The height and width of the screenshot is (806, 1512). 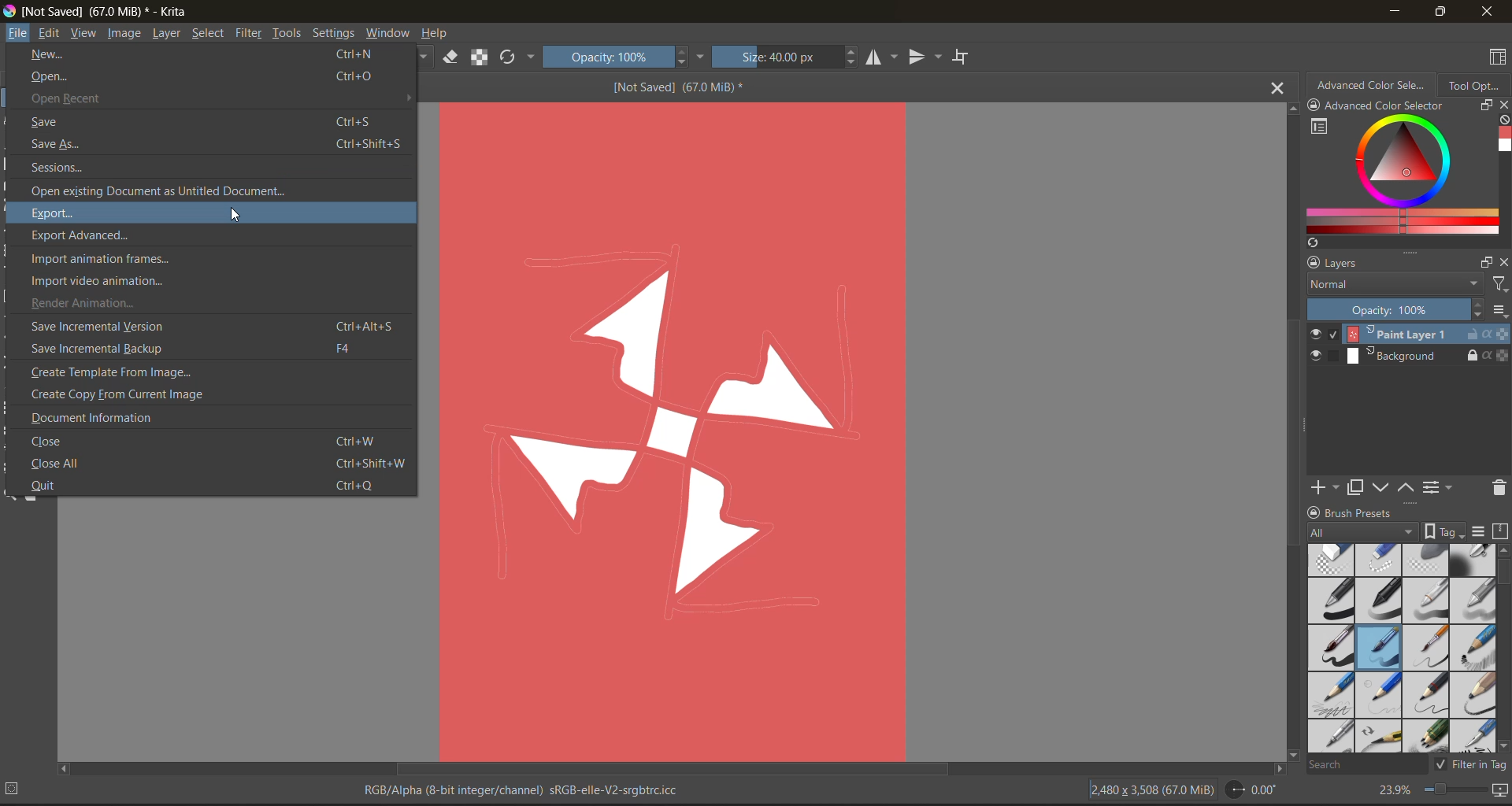 I want to click on close, so click(x=1503, y=105).